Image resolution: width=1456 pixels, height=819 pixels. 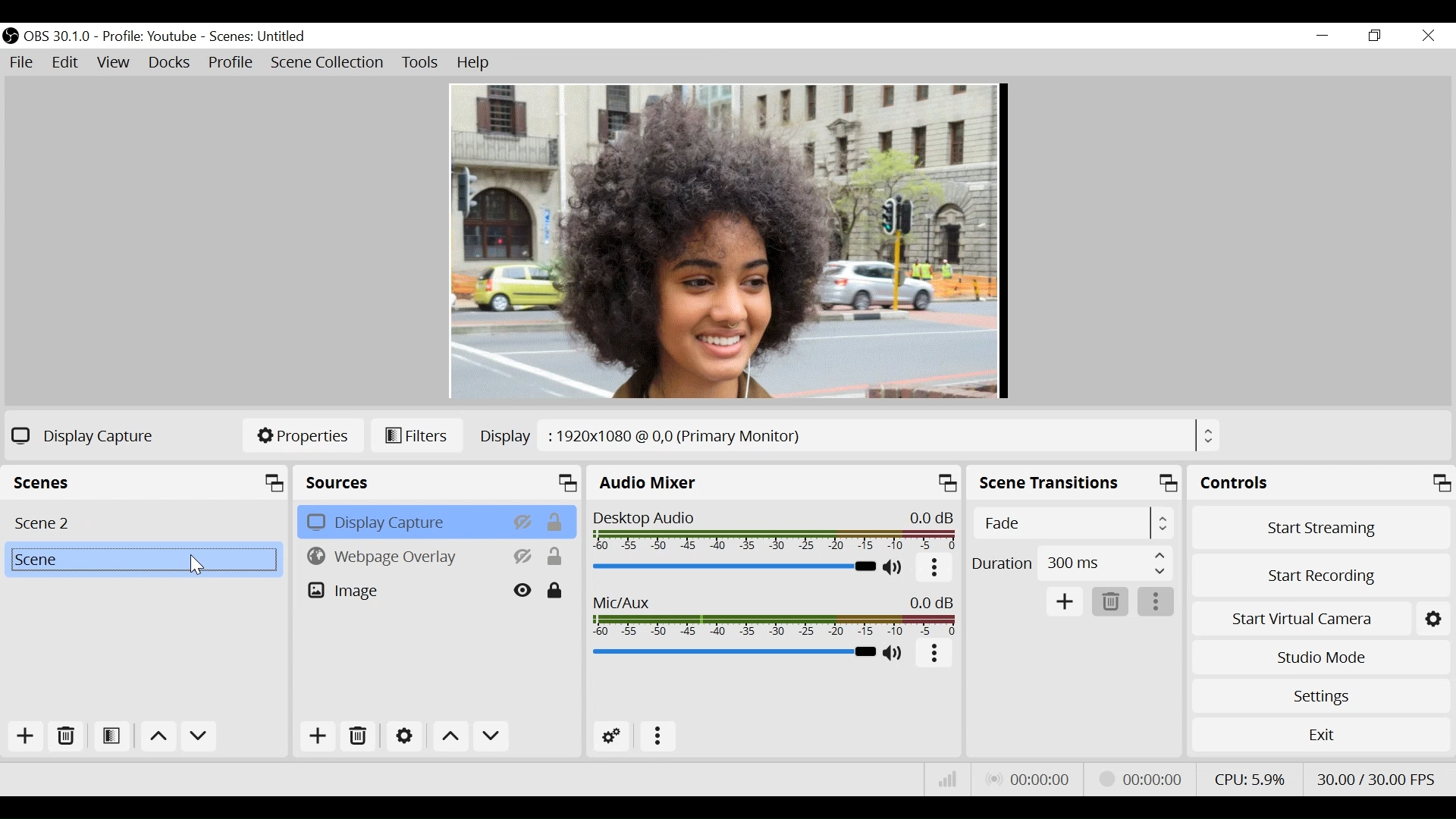 What do you see at coordinates (935, 653) in the screenshot?
I see `more options` at bounding box center [935, 653].